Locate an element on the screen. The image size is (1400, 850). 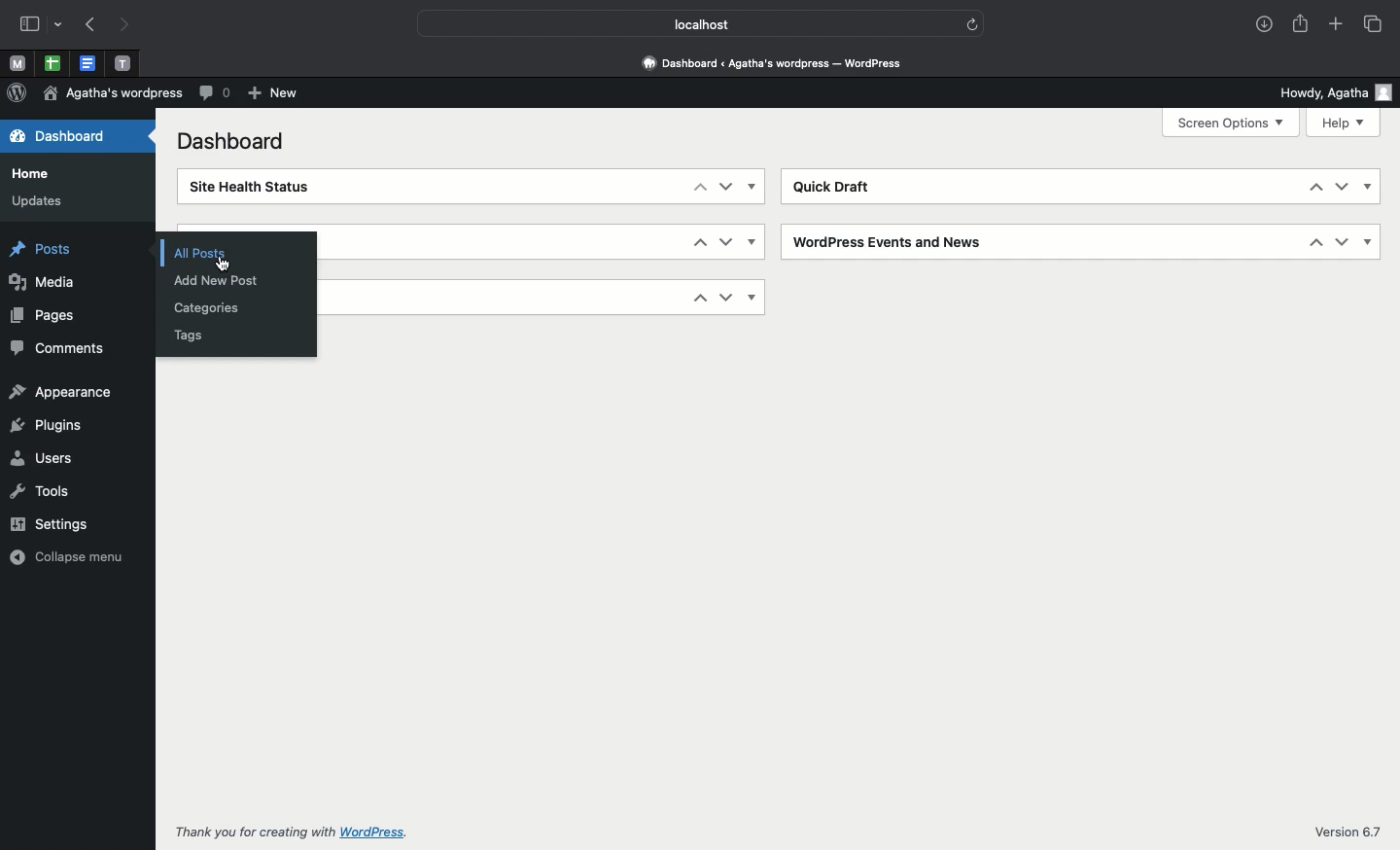
 is located at coordinates (974, 25).